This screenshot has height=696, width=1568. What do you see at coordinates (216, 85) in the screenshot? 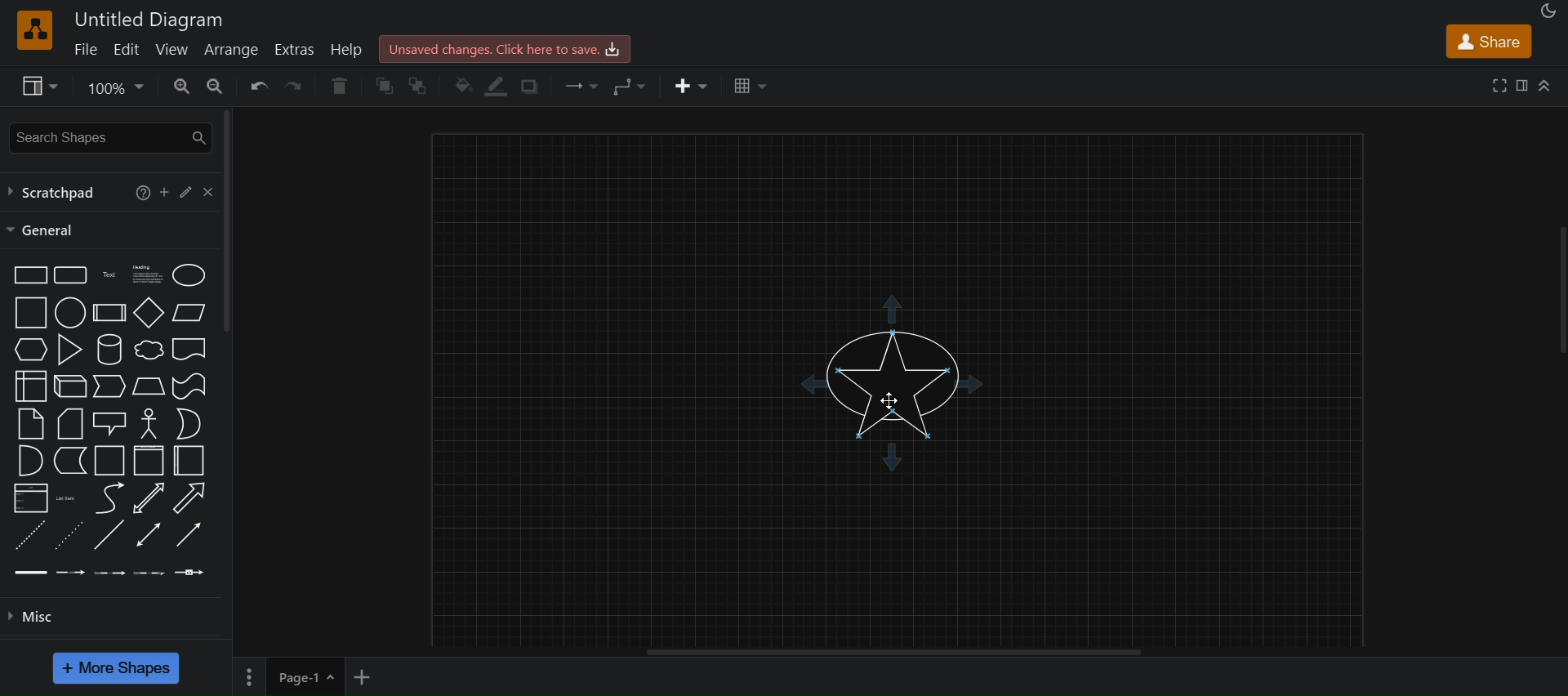
I see `zoom out` at bounding box center [216, 85].